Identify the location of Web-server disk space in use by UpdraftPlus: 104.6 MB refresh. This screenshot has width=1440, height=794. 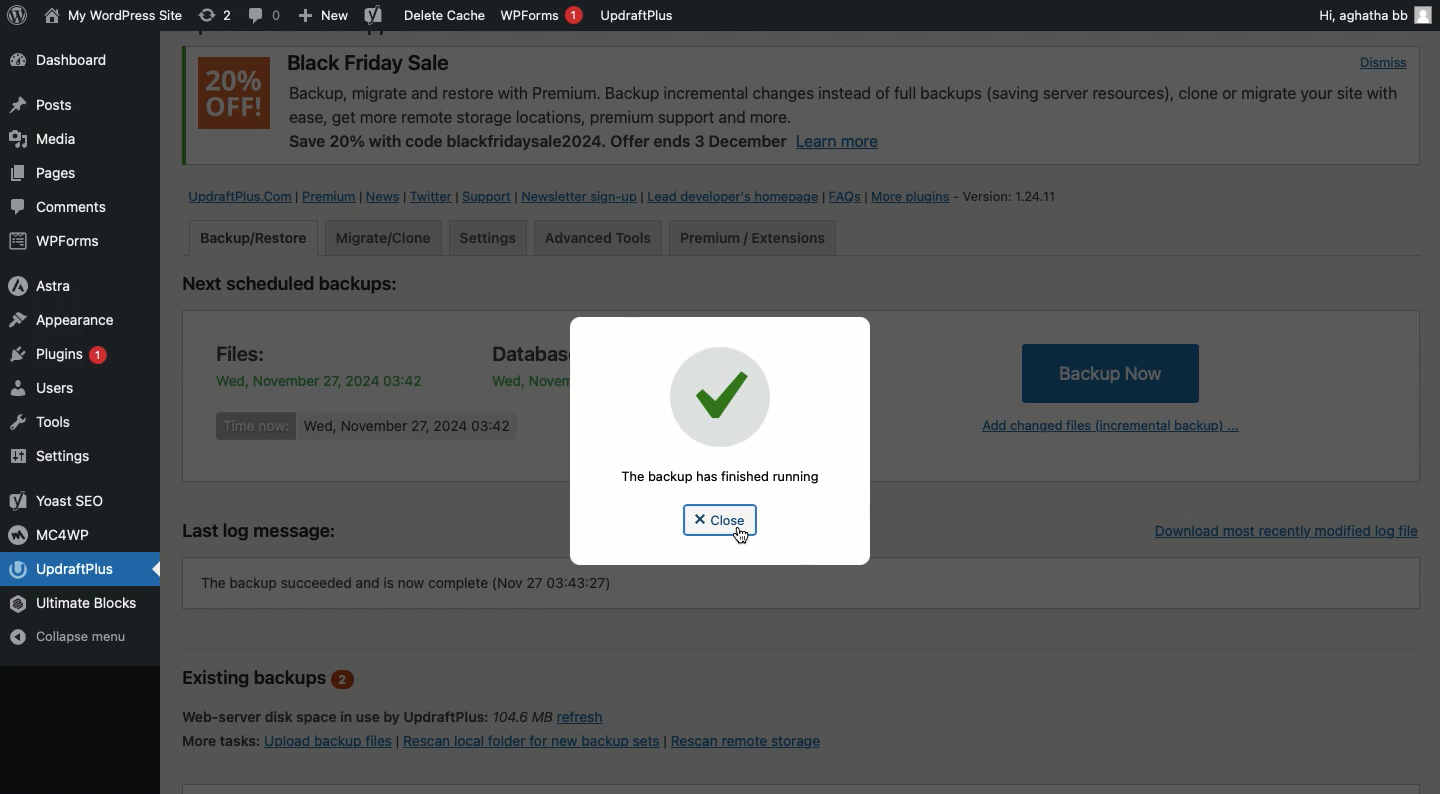
(412, 715).